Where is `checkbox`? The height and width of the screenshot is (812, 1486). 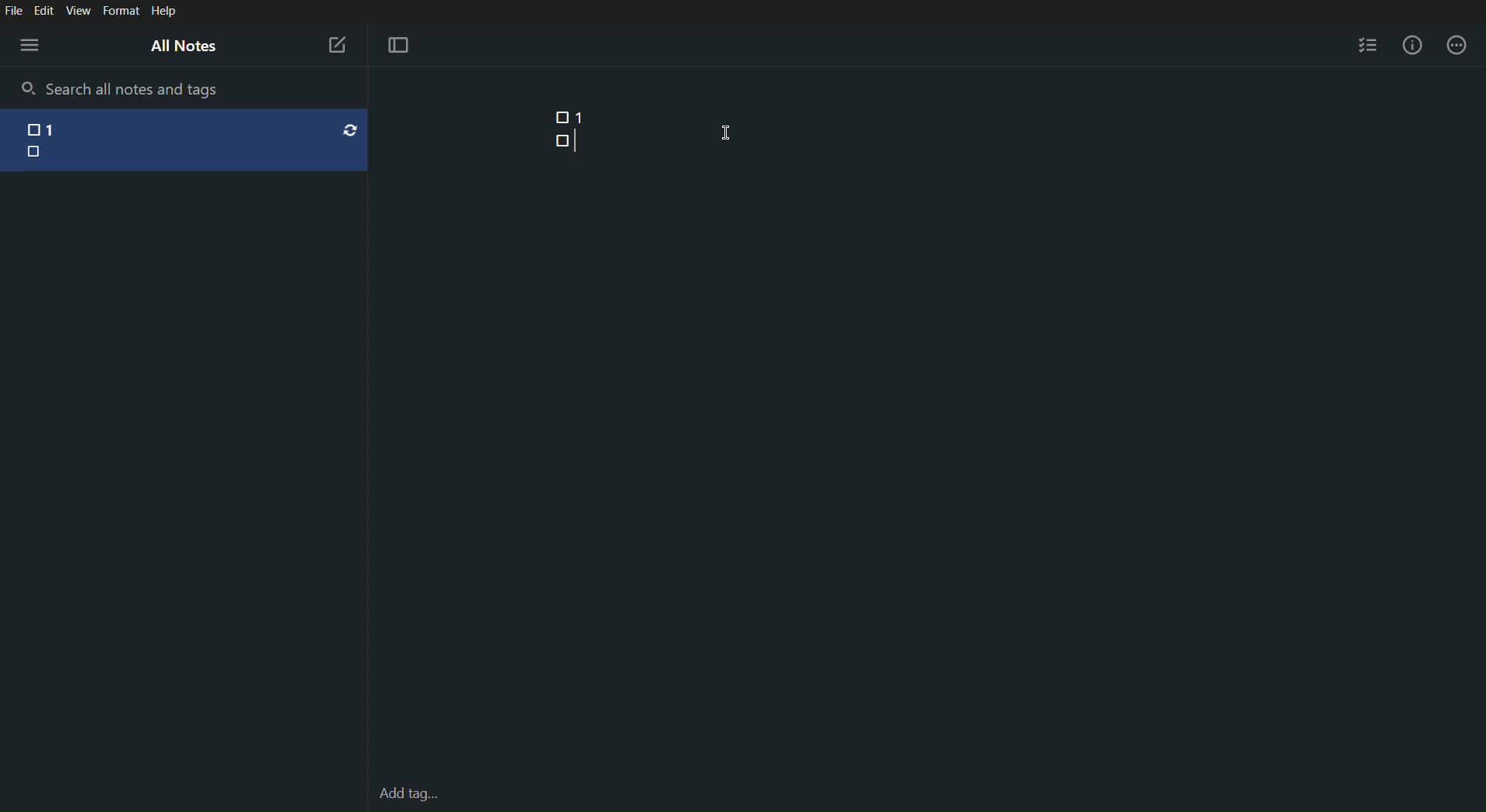 checkbox is located at coordinates (36, 151).